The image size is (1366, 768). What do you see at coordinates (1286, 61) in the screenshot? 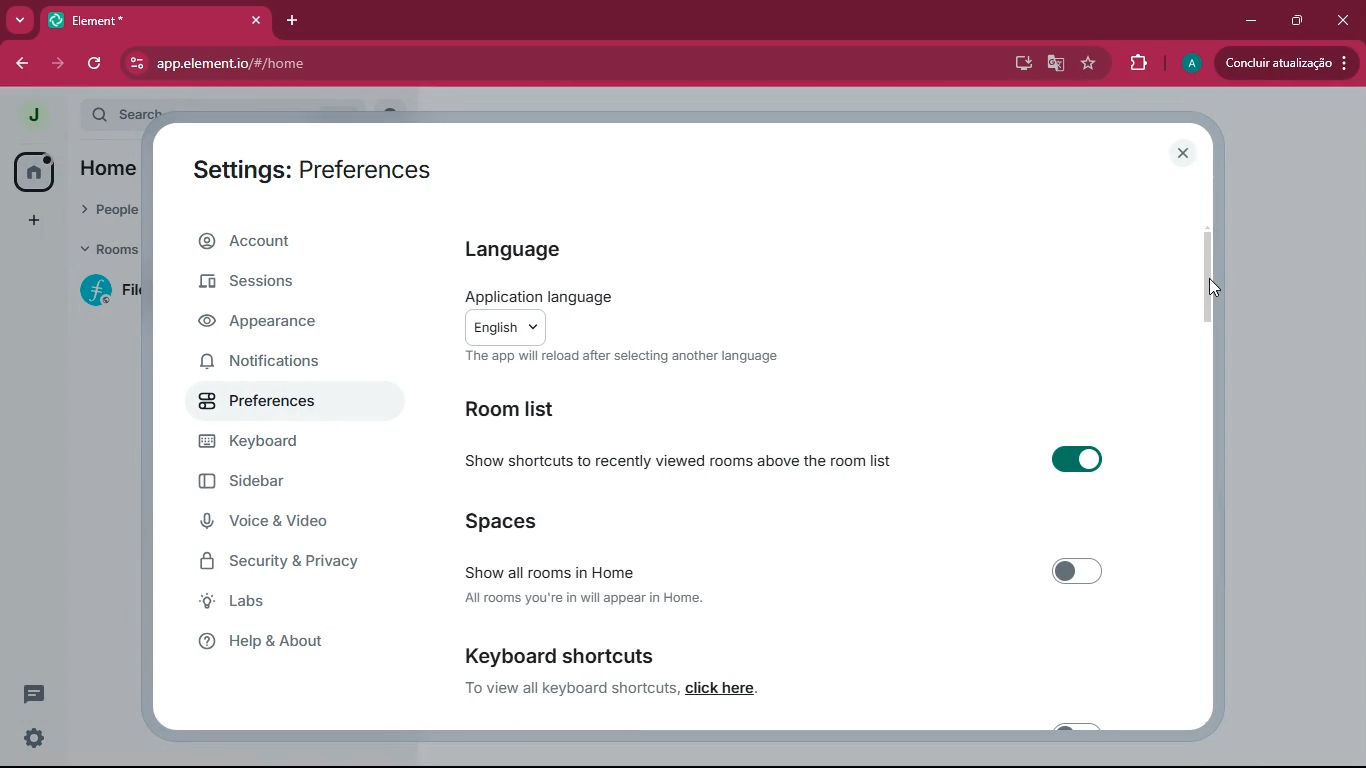
I see `update` at bounding box center [1286, 61].